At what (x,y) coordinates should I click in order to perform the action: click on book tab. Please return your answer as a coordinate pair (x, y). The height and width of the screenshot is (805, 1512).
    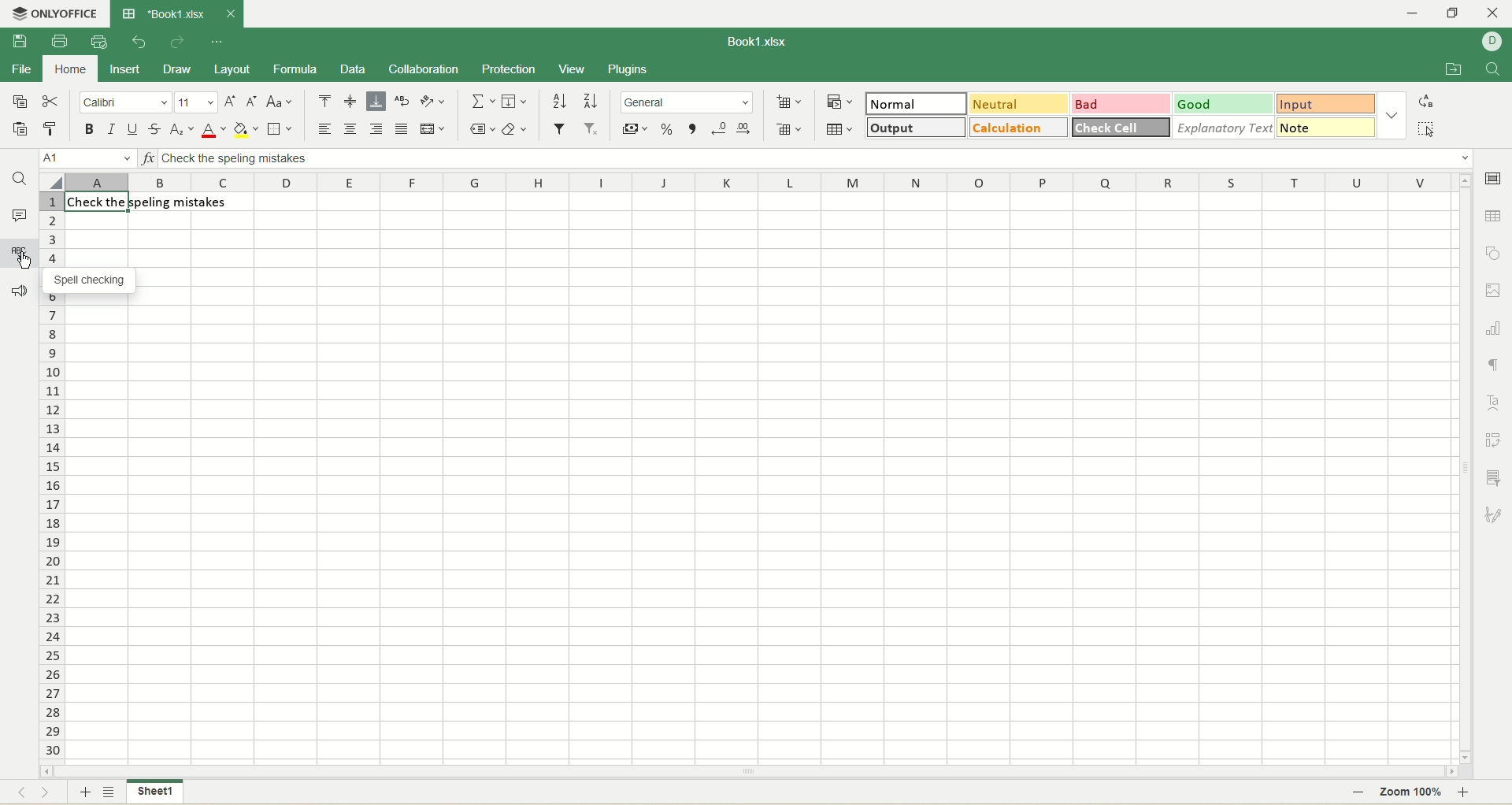
    Looking at the image, I should click on (165, 15).